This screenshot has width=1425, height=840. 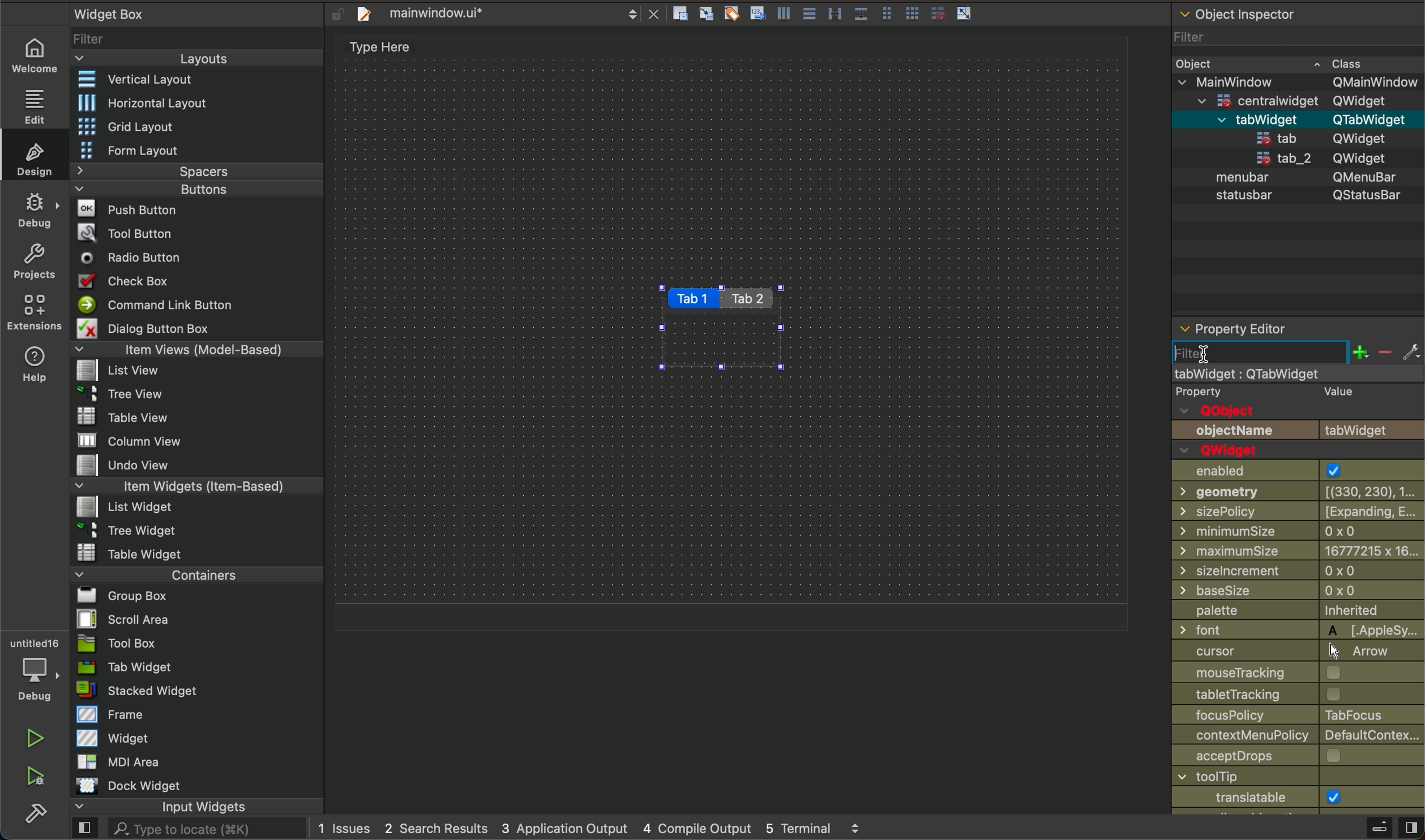 I want to click on  MDI Area, so click(x=128, y=761).